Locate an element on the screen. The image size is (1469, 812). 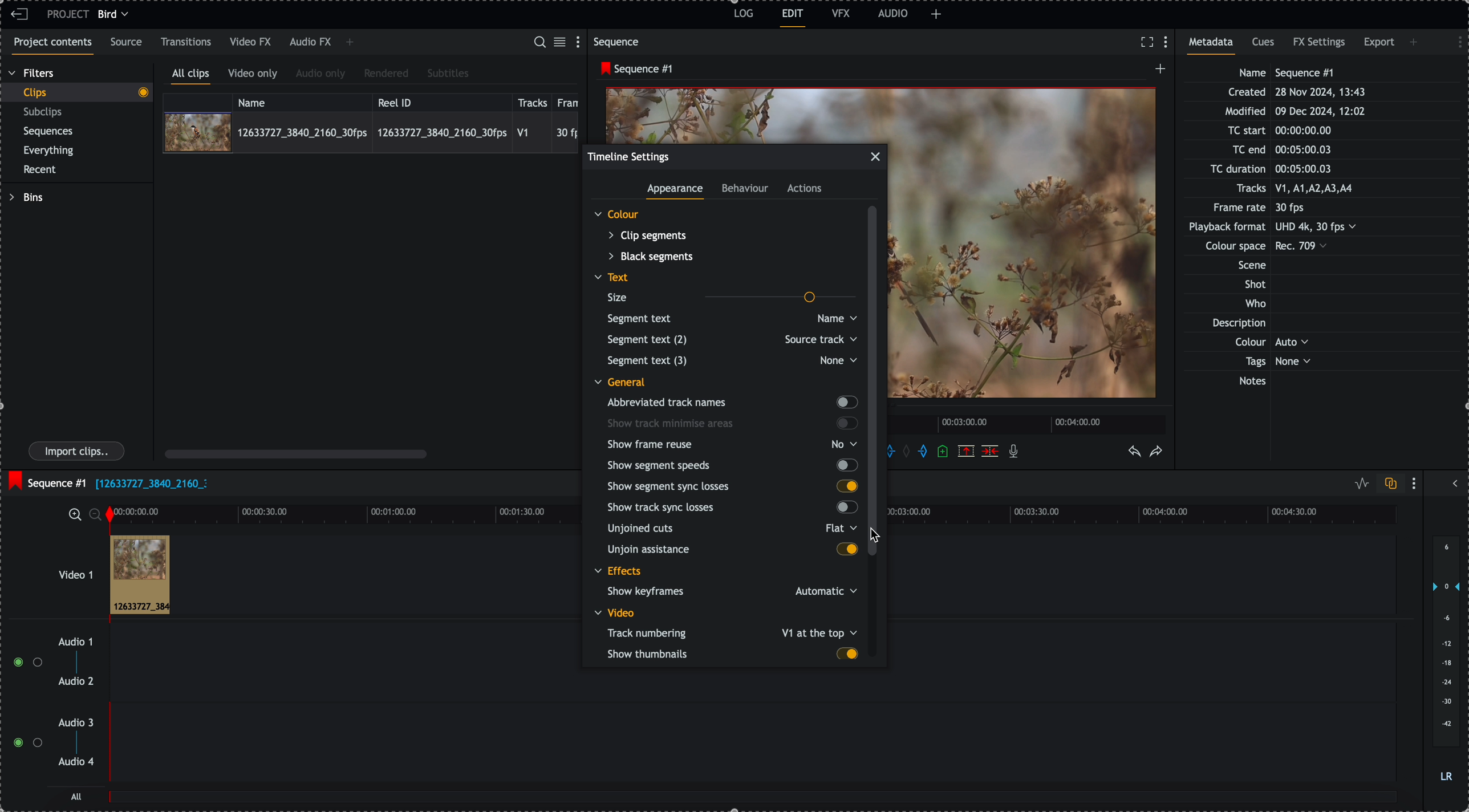
video preview is located at coordinates (746, 113).